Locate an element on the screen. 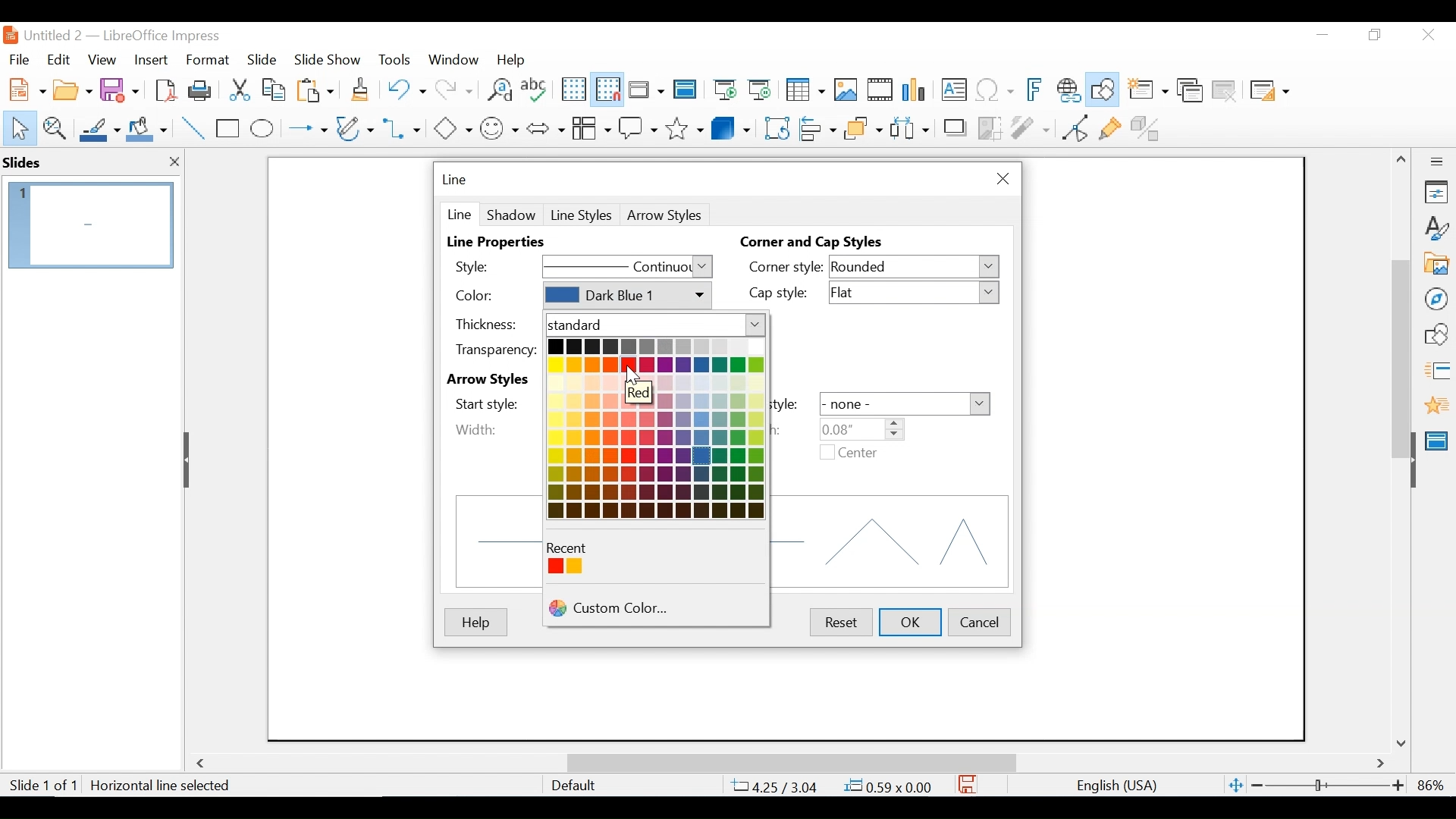  Color is located at coordinates (493, 296).